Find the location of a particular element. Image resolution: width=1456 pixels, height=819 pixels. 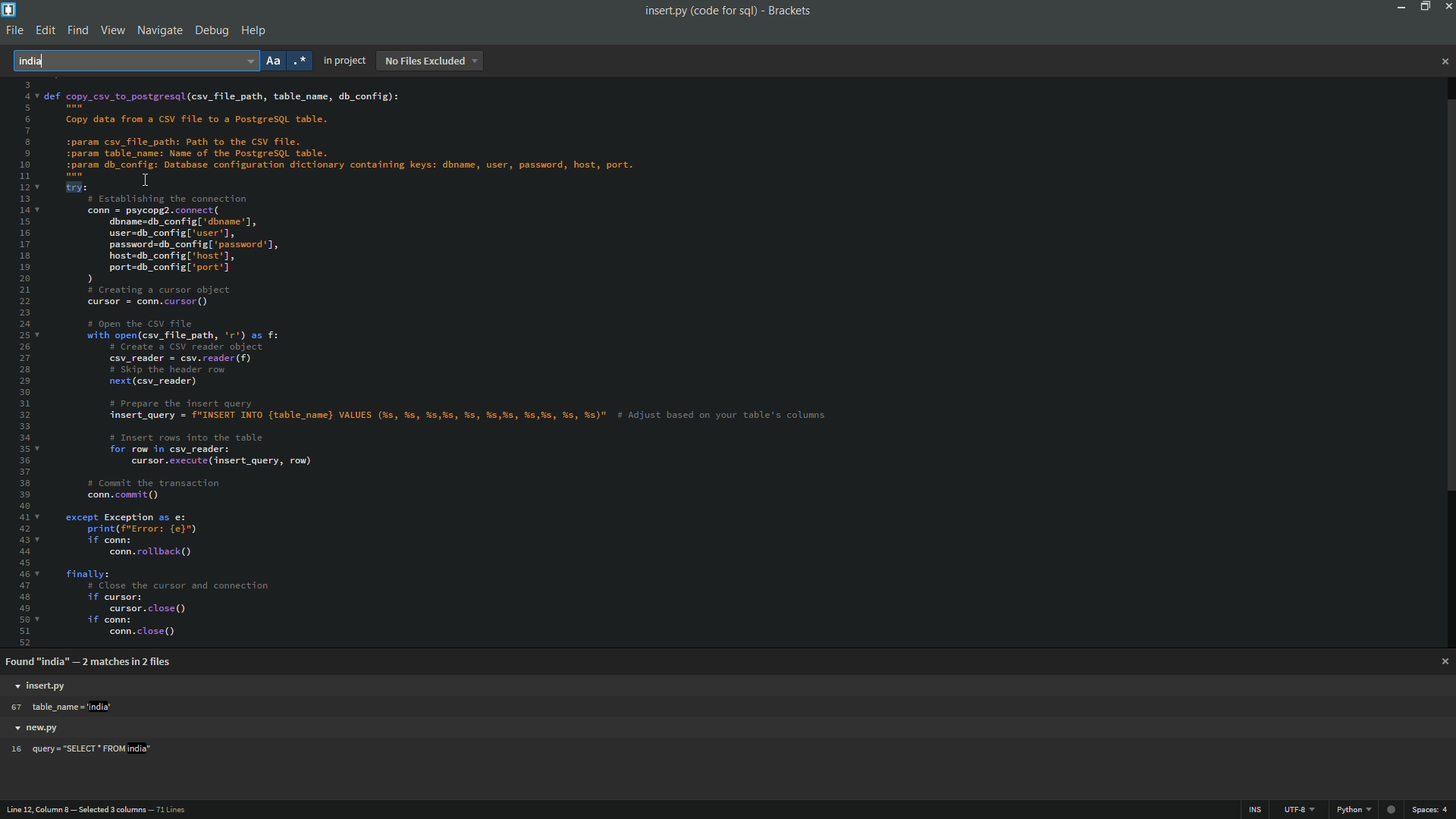

cursor is located at coordinates (146, 181).